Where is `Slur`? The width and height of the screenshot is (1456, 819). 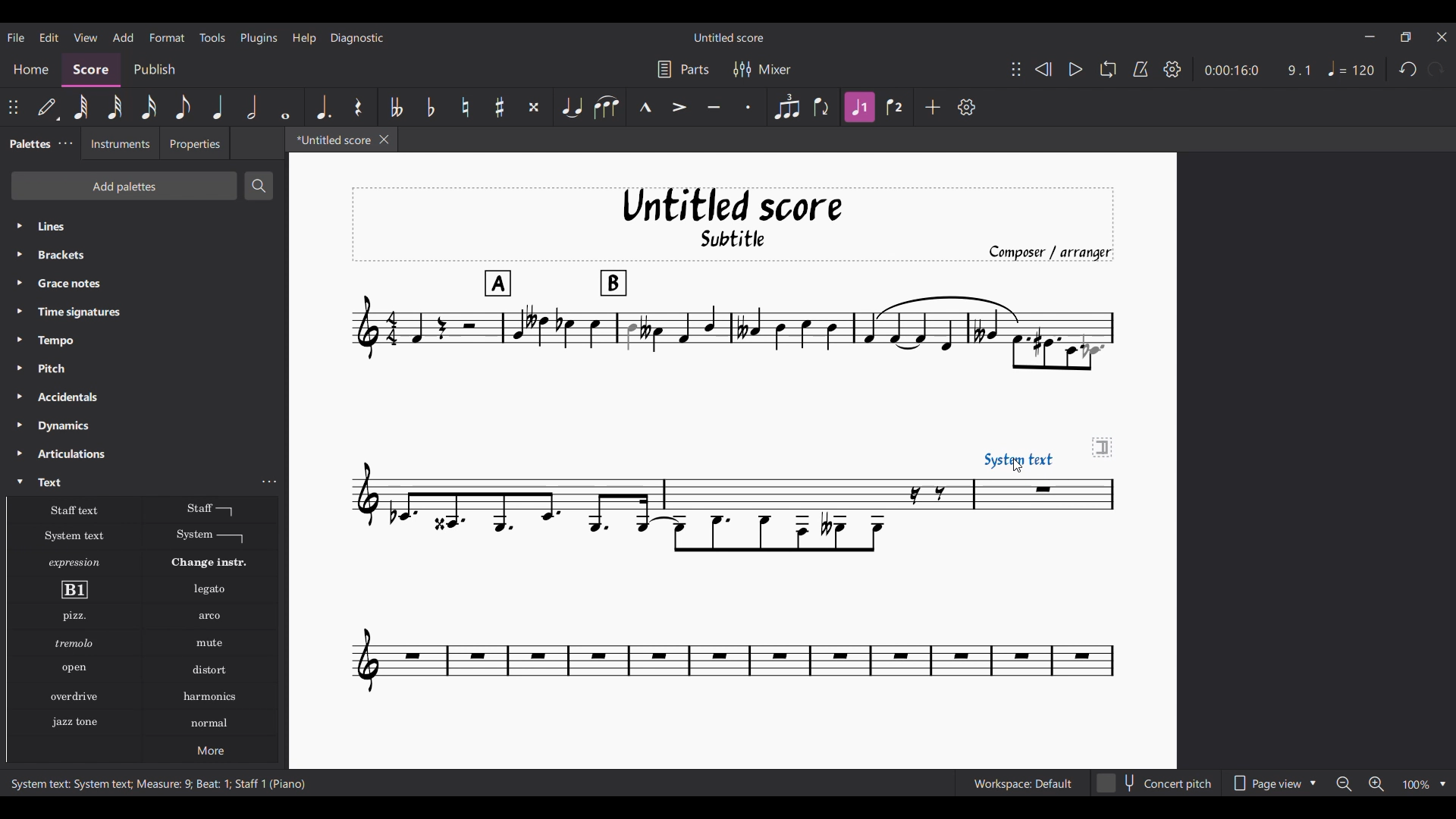 Slur is located at coordinates (607, 107).